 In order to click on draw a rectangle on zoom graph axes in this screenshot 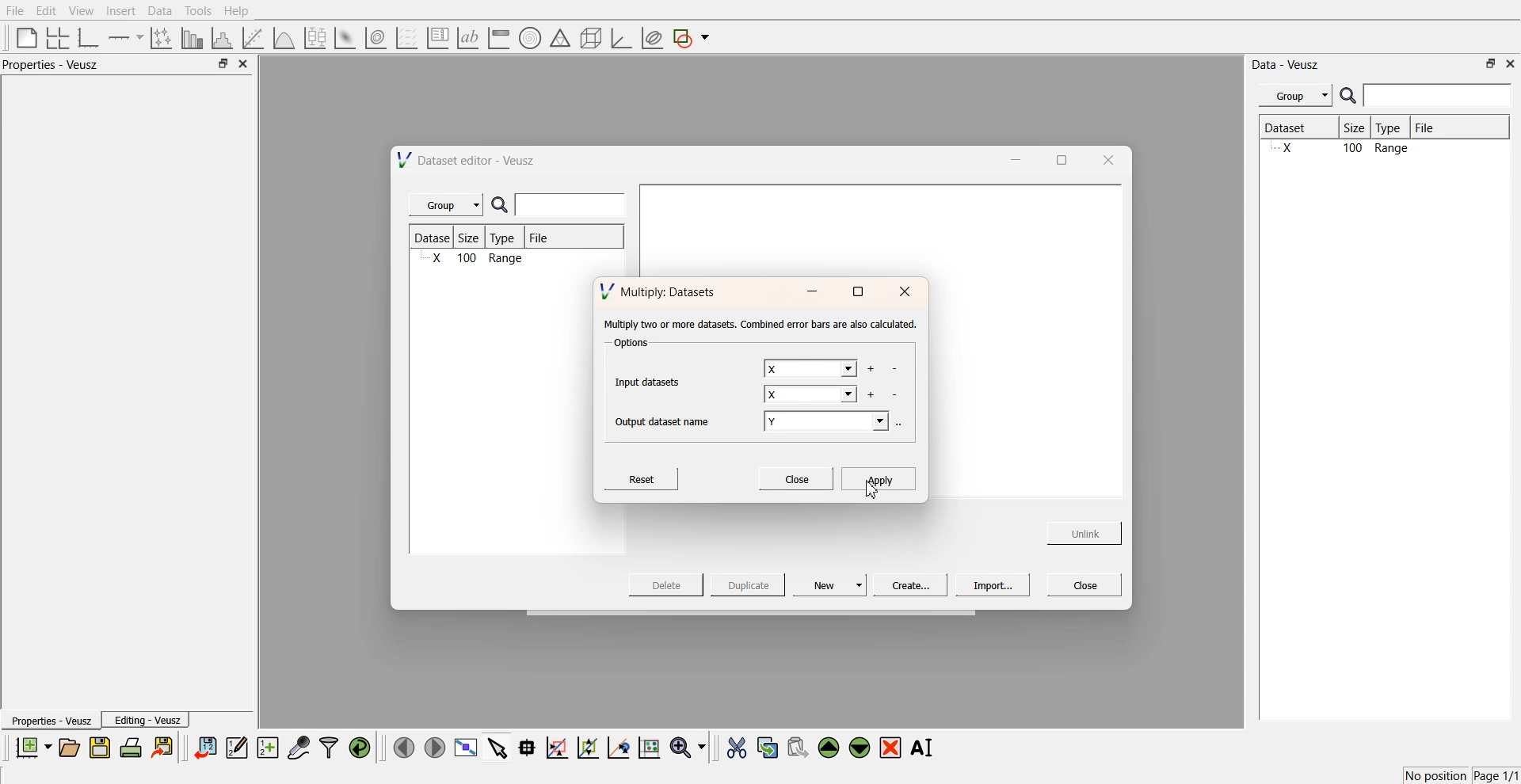, I will do `click(556, 746)`.